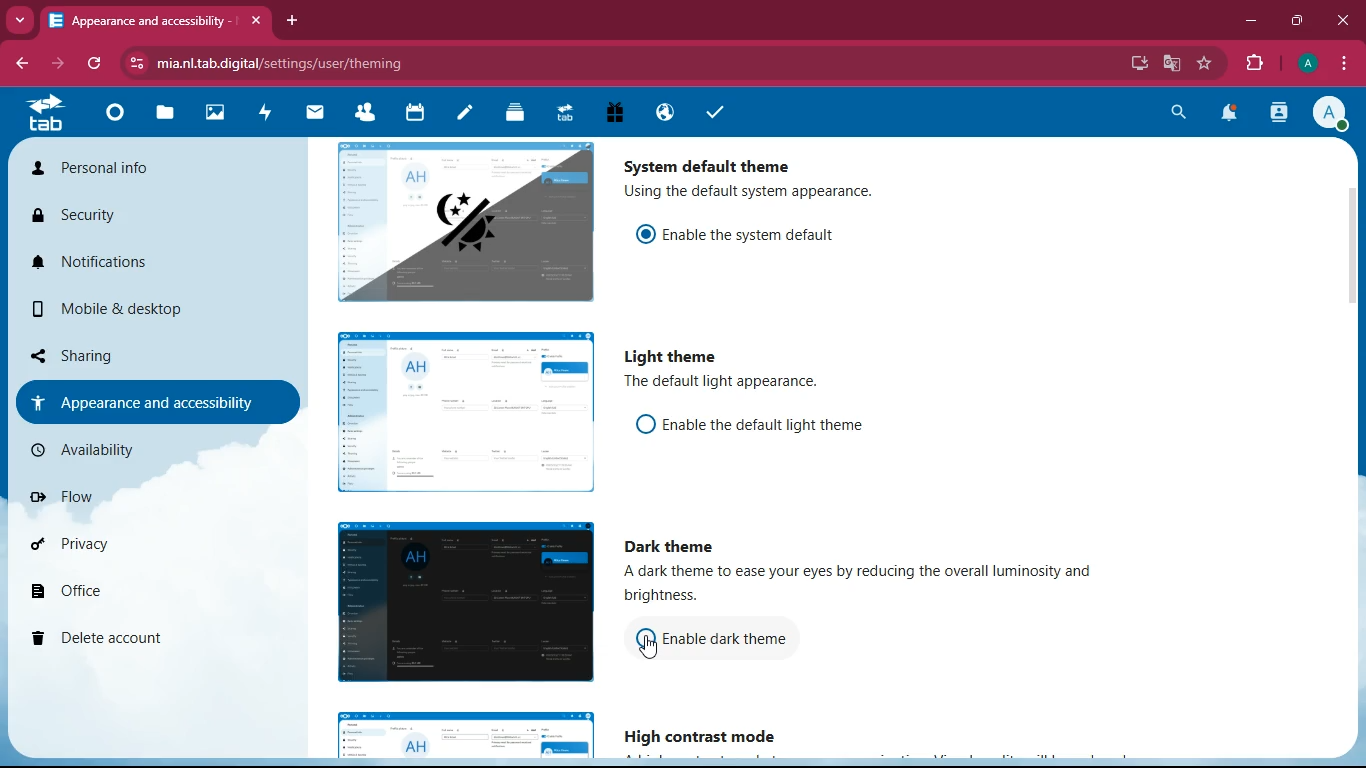 The width and height of the screenshot is (1366, 768). I want to click on flow, so click(138, 504).